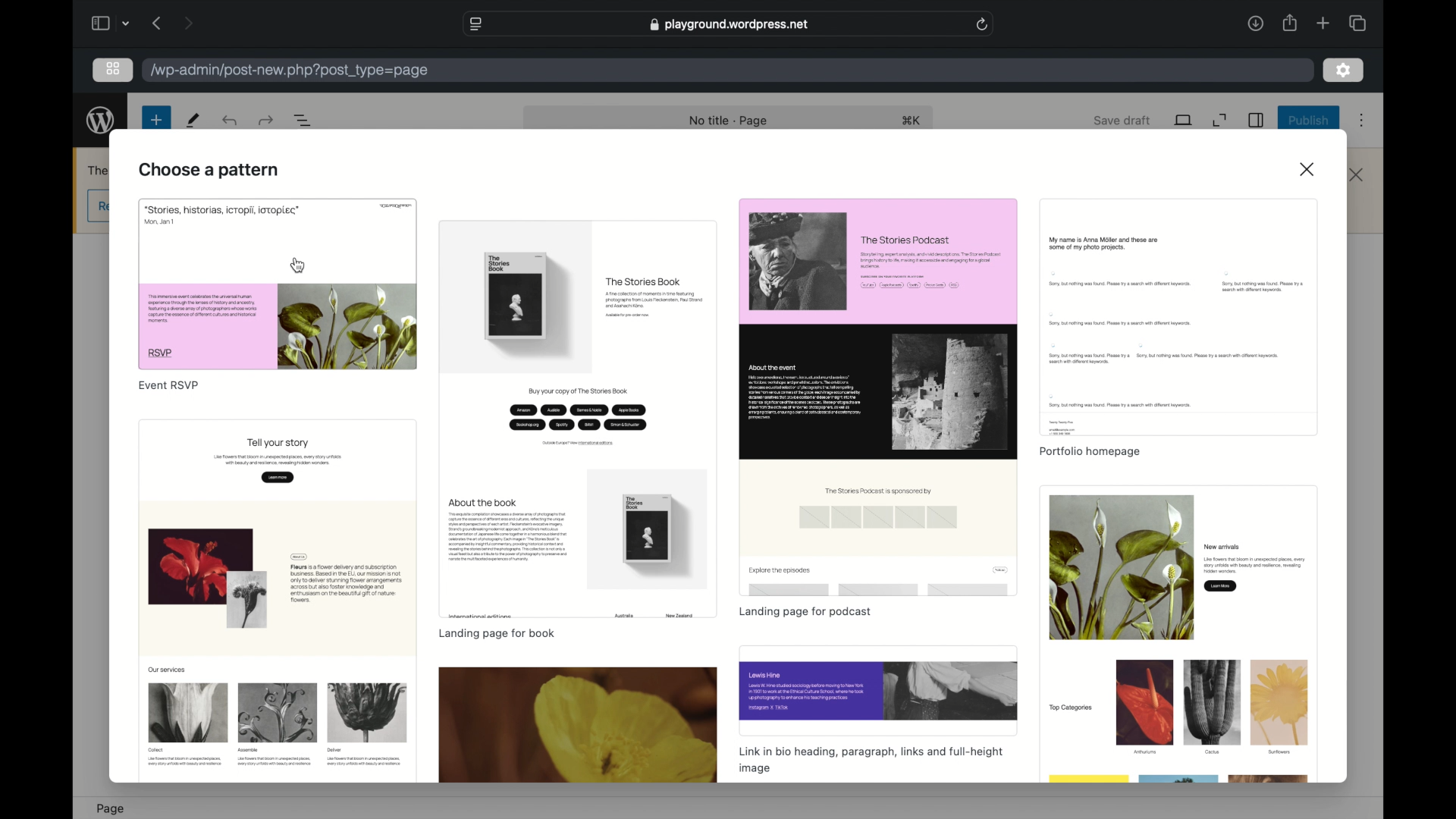  I want to click on preview, so click(878, 397).